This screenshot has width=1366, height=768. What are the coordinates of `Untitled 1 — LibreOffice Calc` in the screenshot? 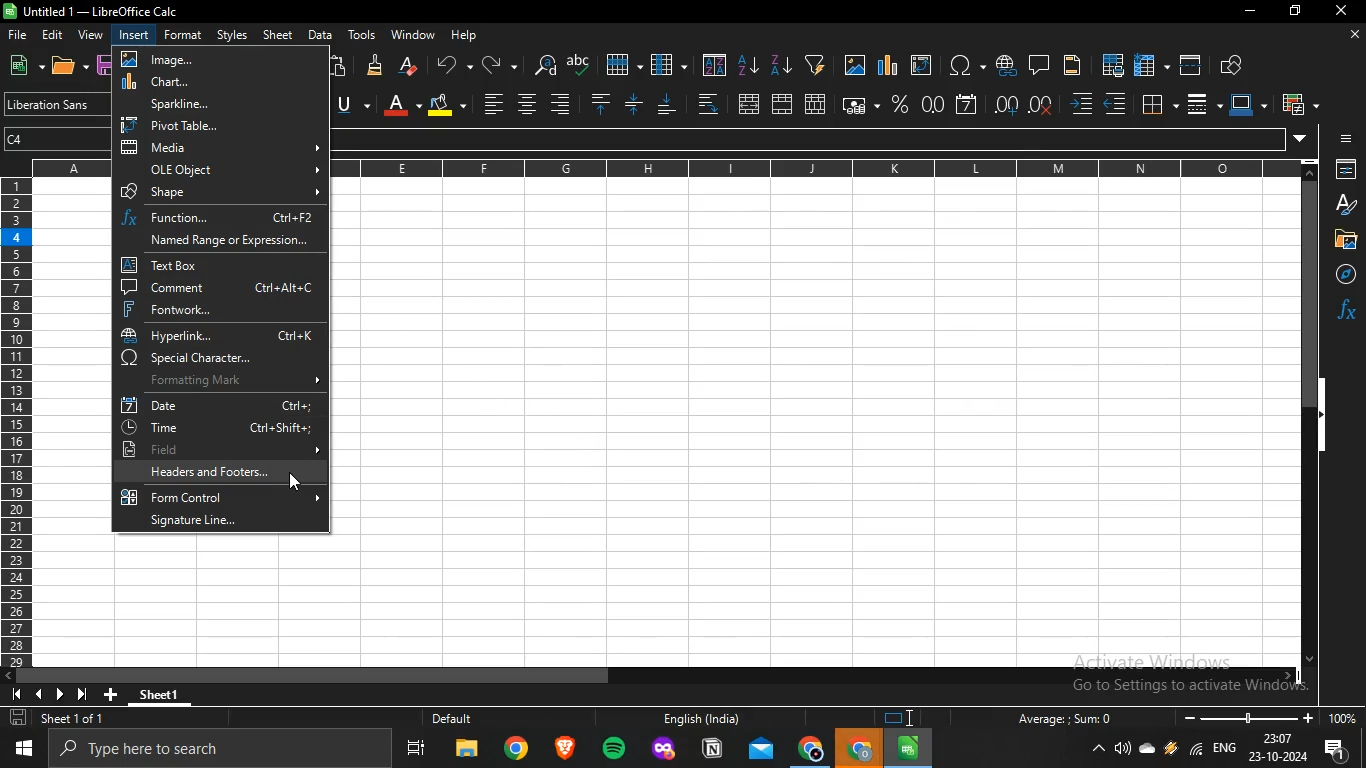 It's located at (94, 11).